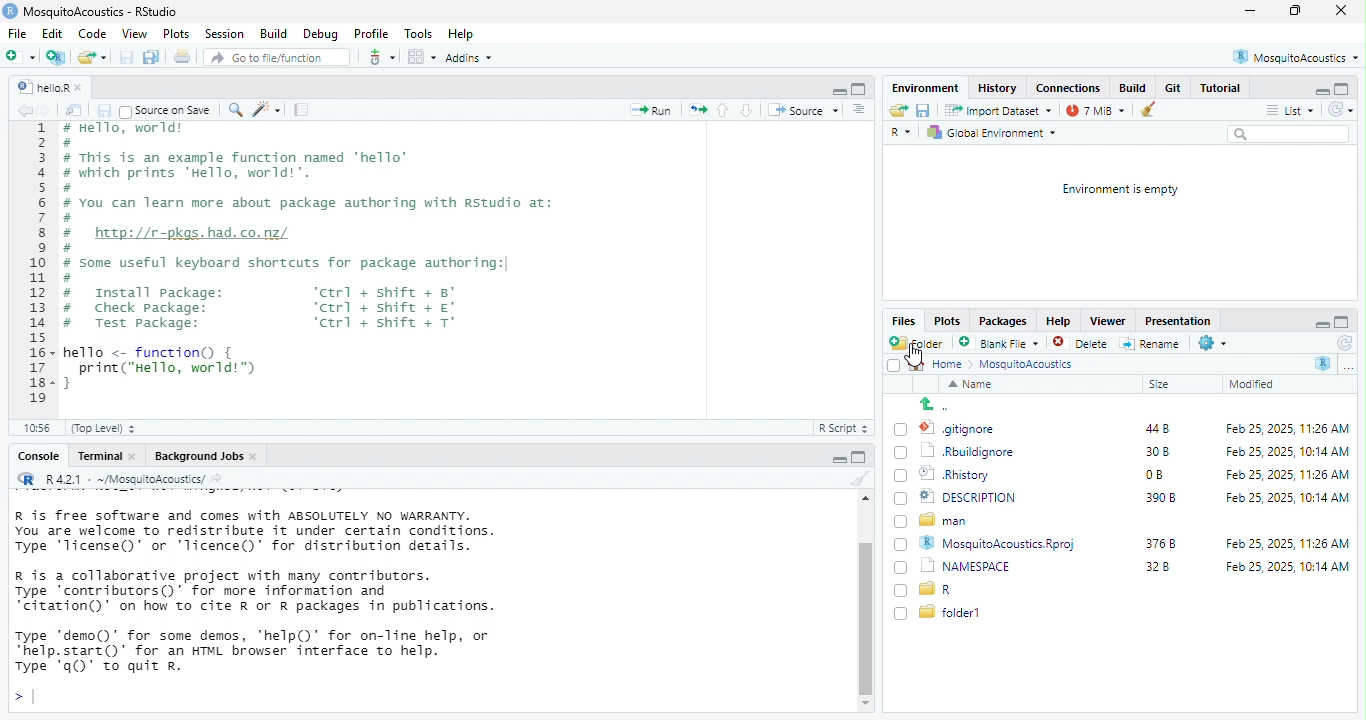 This screenshot has height=720, width=1366. I want to click on Help, so click(462, 35).